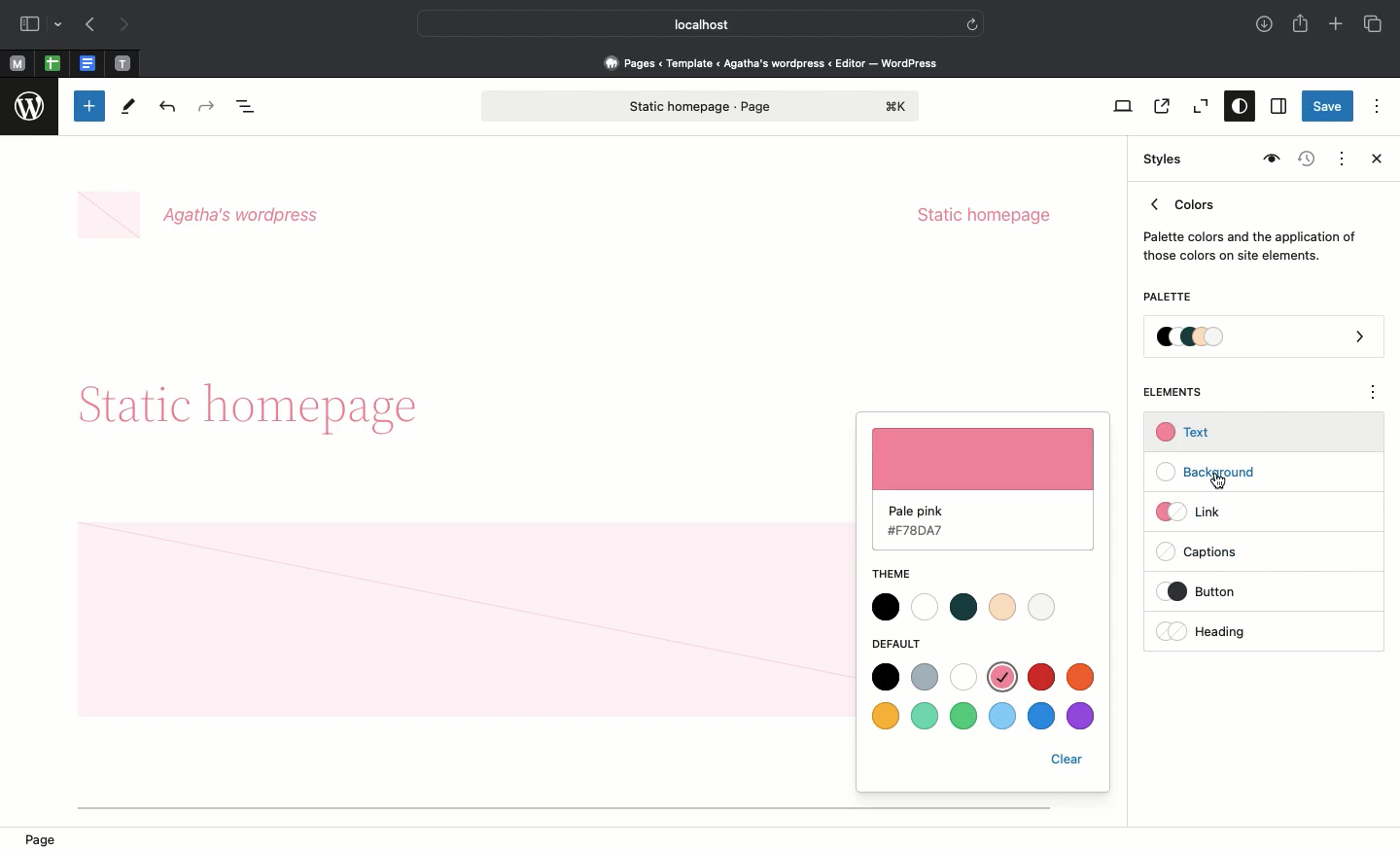 The width and height of the screenshot is (1400, 850). What do you see at coordinates (899, 644) in the screenshot?
I see `Default` at bounding box center [899, 644].